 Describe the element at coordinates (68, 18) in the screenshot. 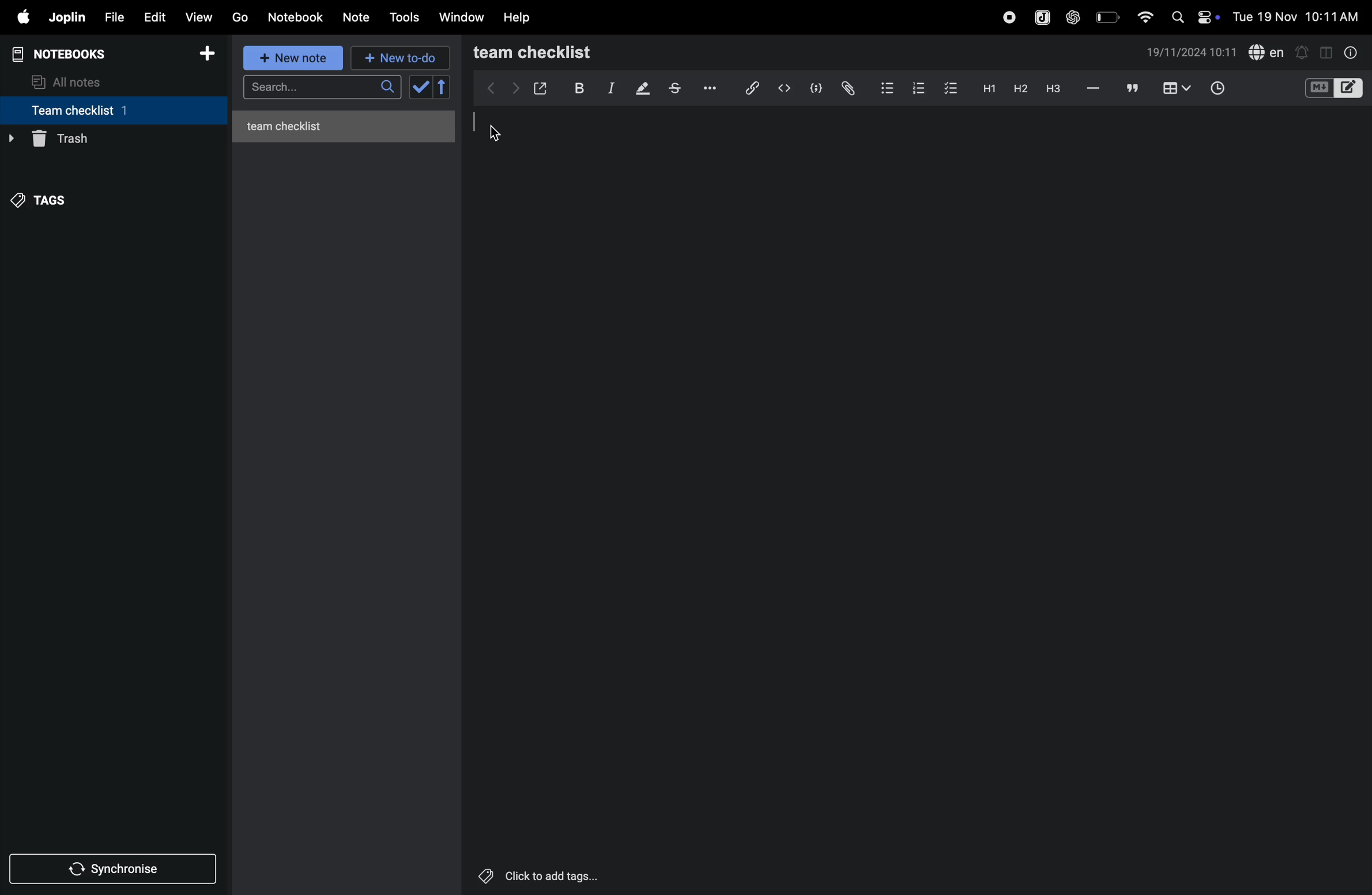

I see `joplin` at that location.